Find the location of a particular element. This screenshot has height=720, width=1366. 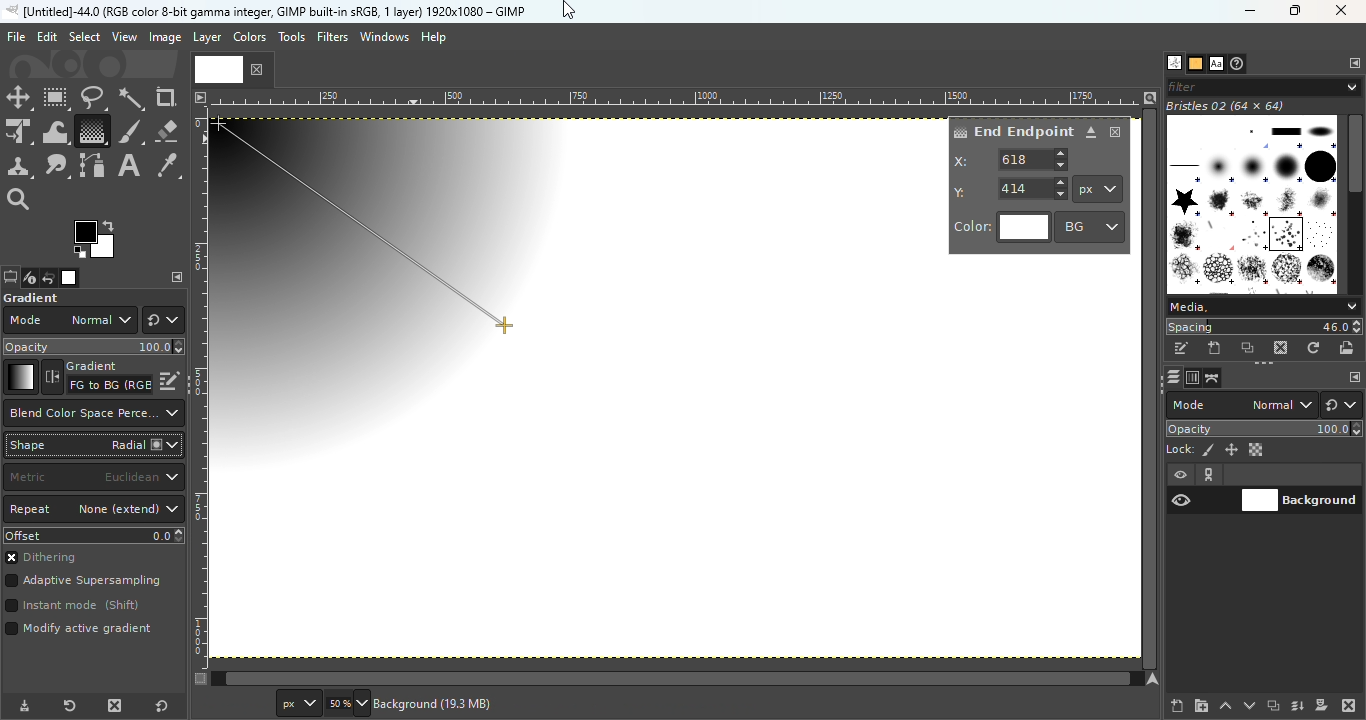

Vertical ruler is located at coordinates (200, 387).